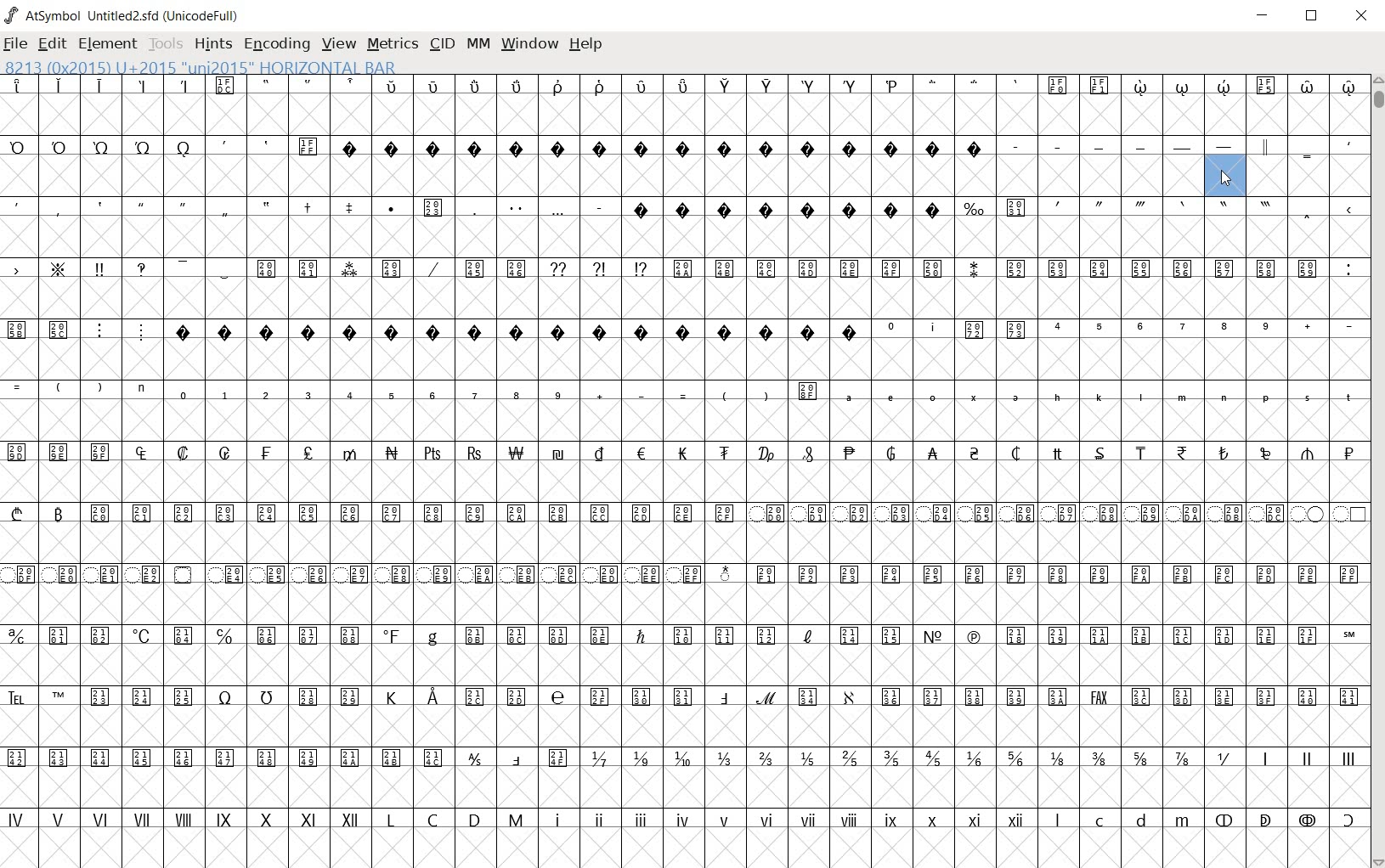 This screenshot has height=868, width=1385. What do you see at coordinates (1265, 16) in the screenshot?
I see `MINIMIZE` at bounding box center [1265, 16].